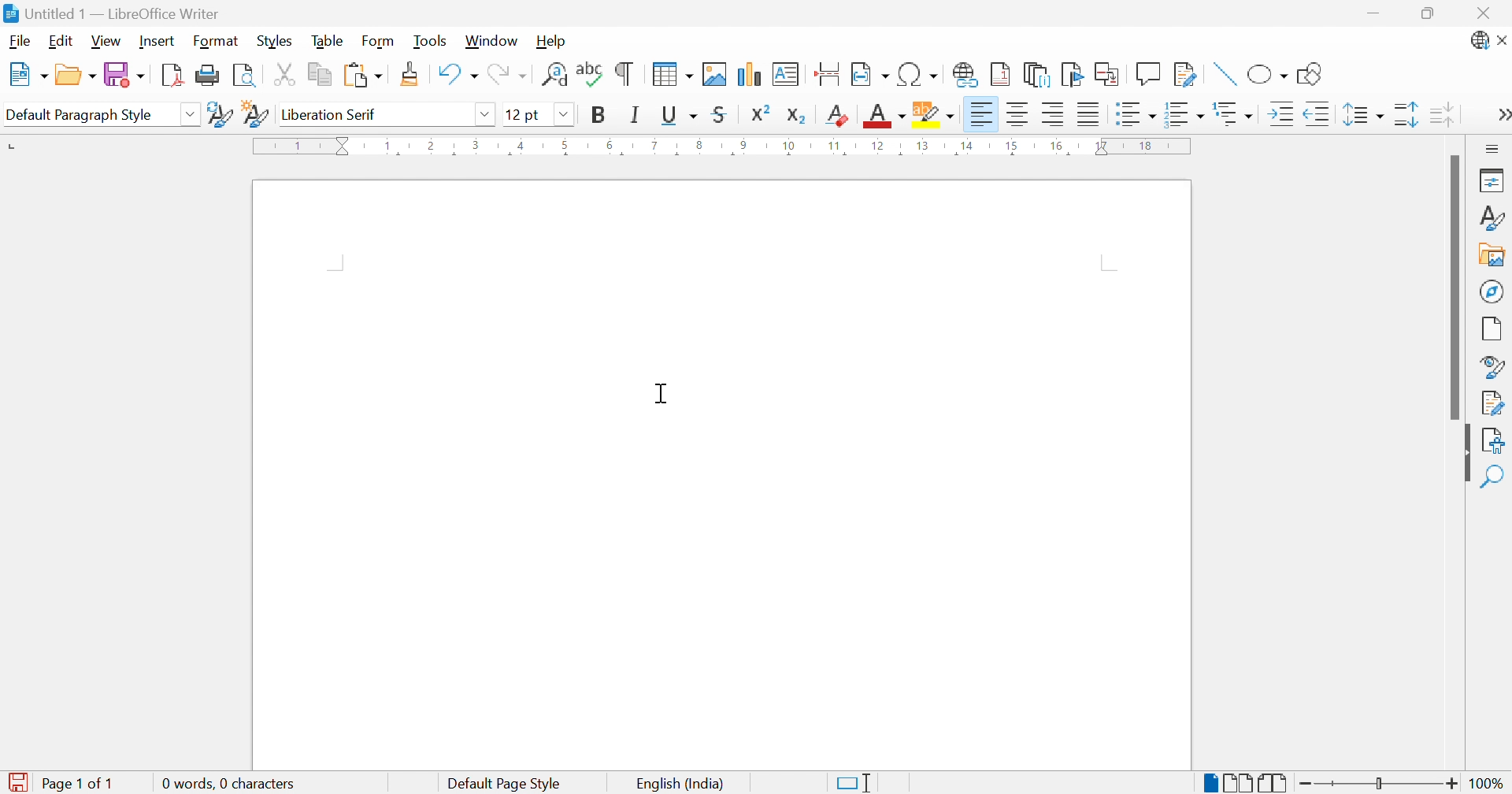  What do you see at coordinates (1147, 74) in the screenshot?
I see `Insert functions` at bounding box center [1147, 74].